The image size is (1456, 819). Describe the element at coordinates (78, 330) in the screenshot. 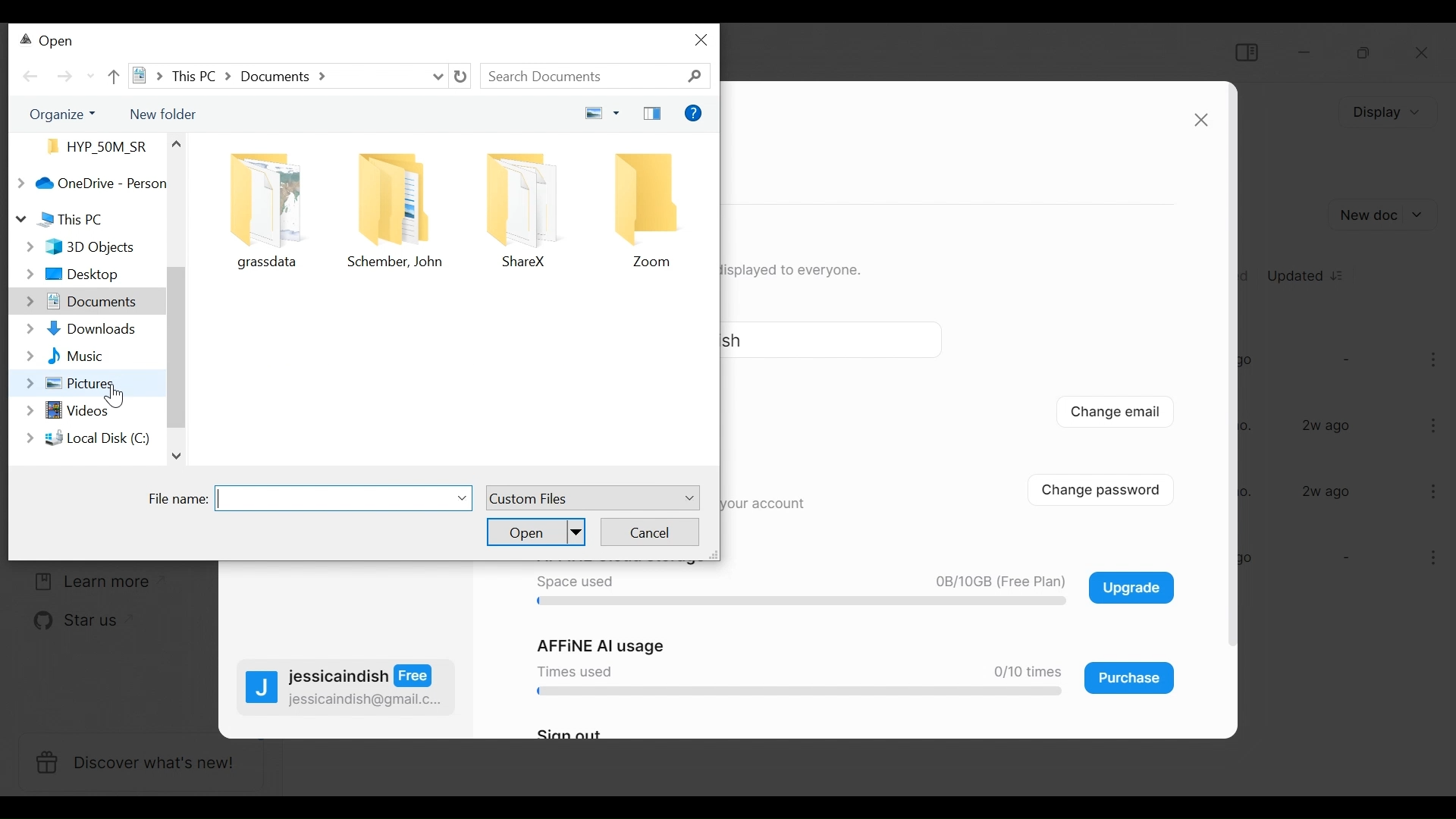

I see `Downloads` at that location.